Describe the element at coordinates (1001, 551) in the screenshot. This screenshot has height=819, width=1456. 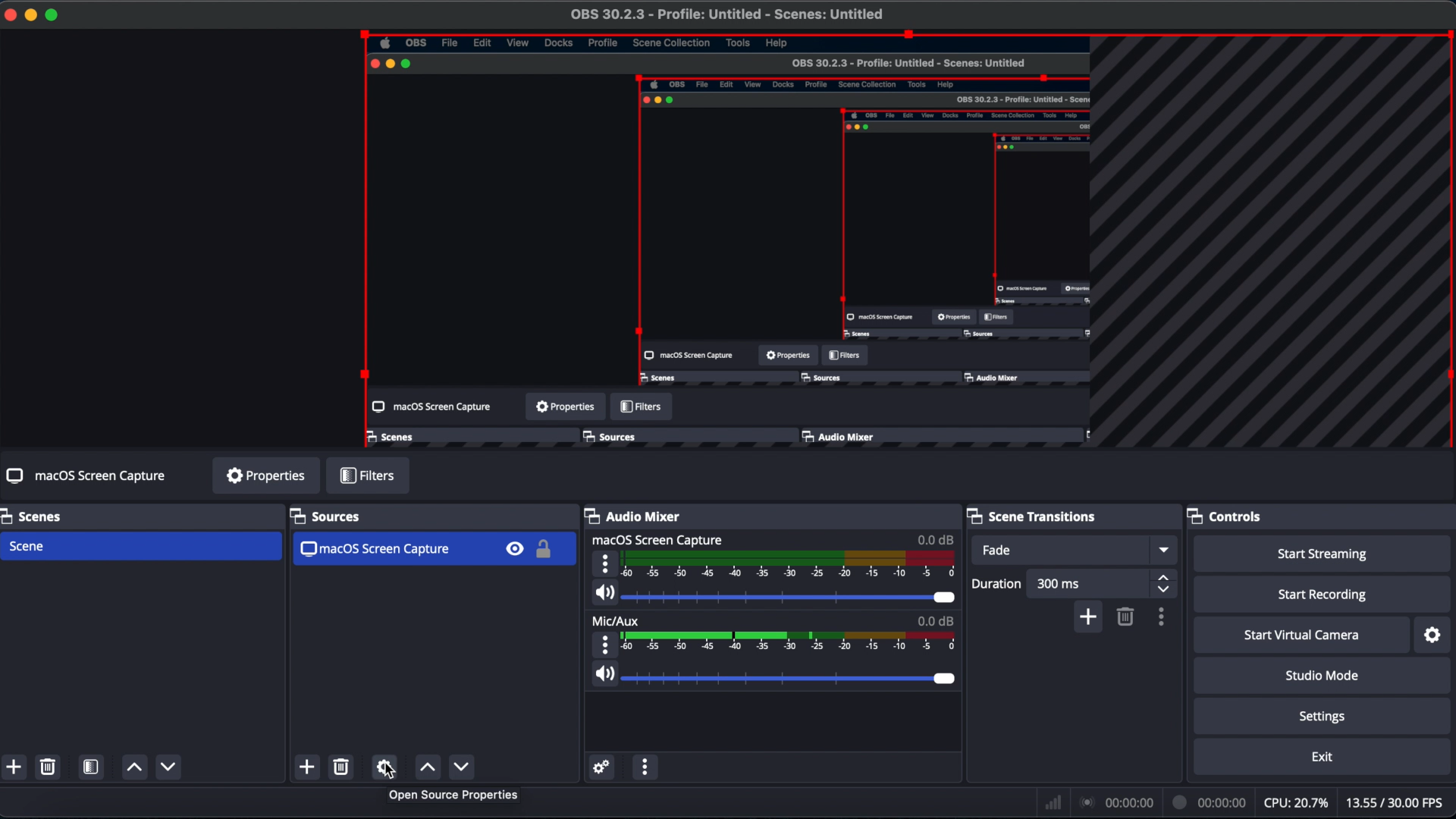
I see `fade` at that location.